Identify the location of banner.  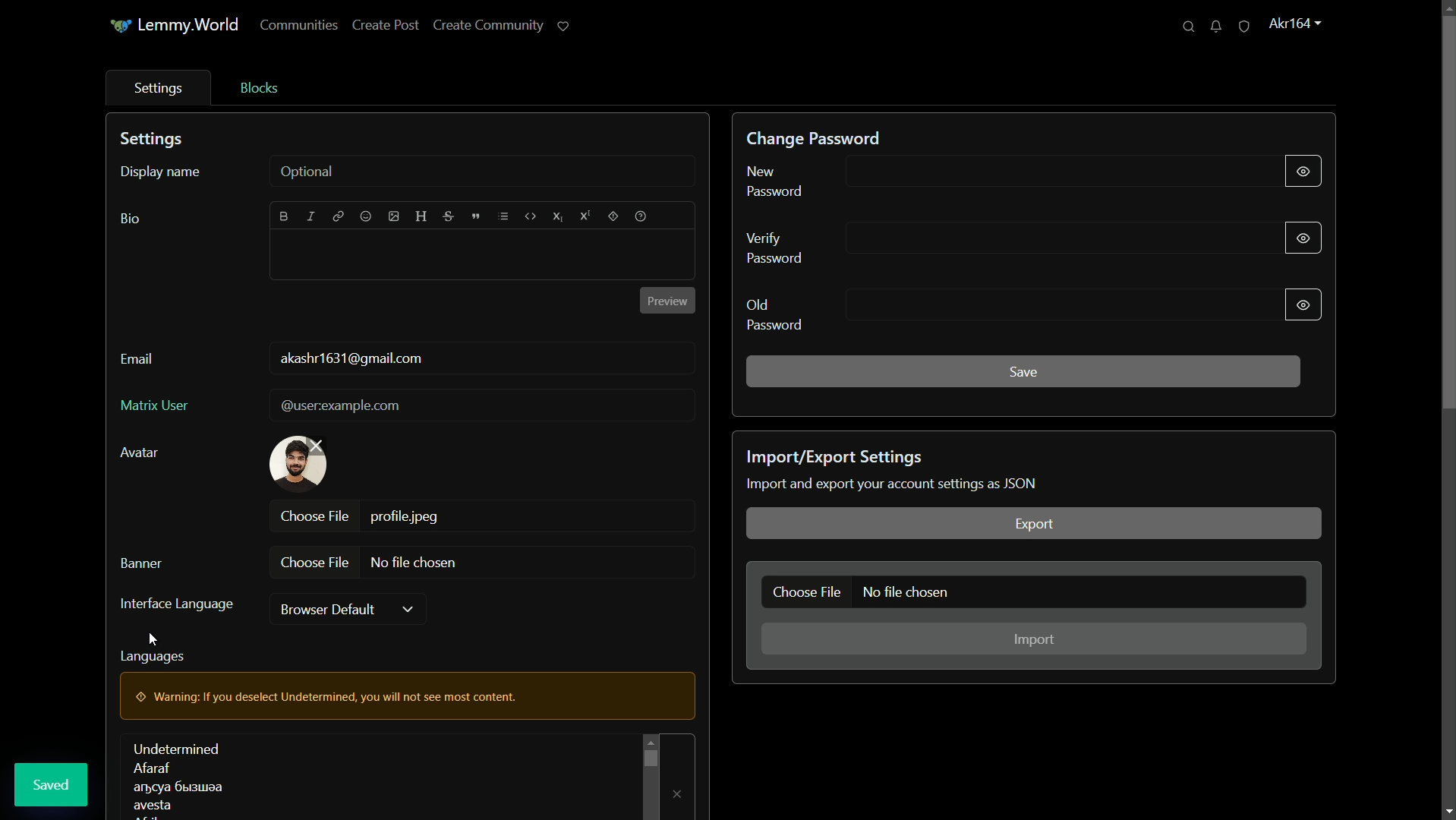
(143, 560).